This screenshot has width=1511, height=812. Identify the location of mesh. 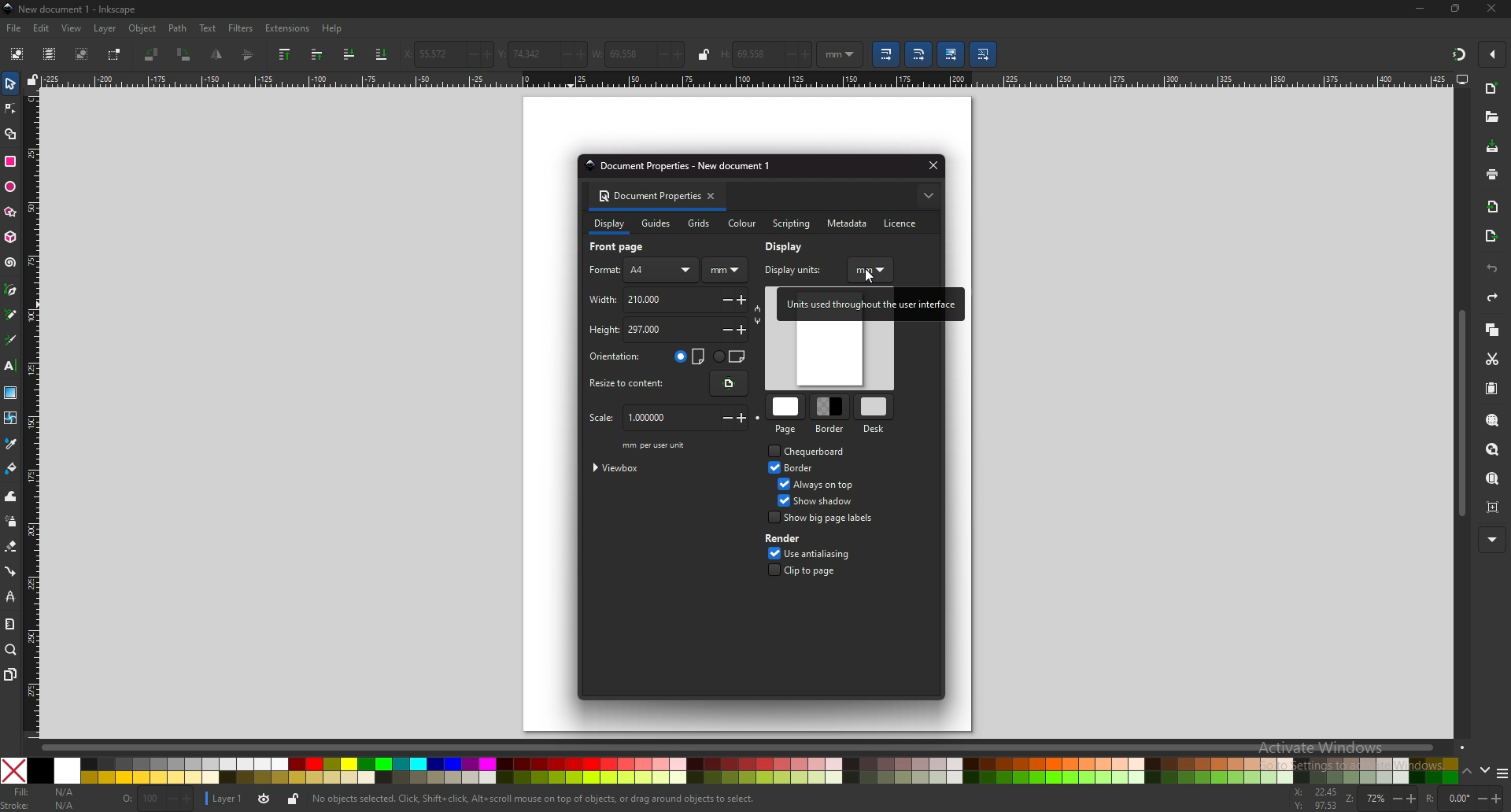
(11, 416).